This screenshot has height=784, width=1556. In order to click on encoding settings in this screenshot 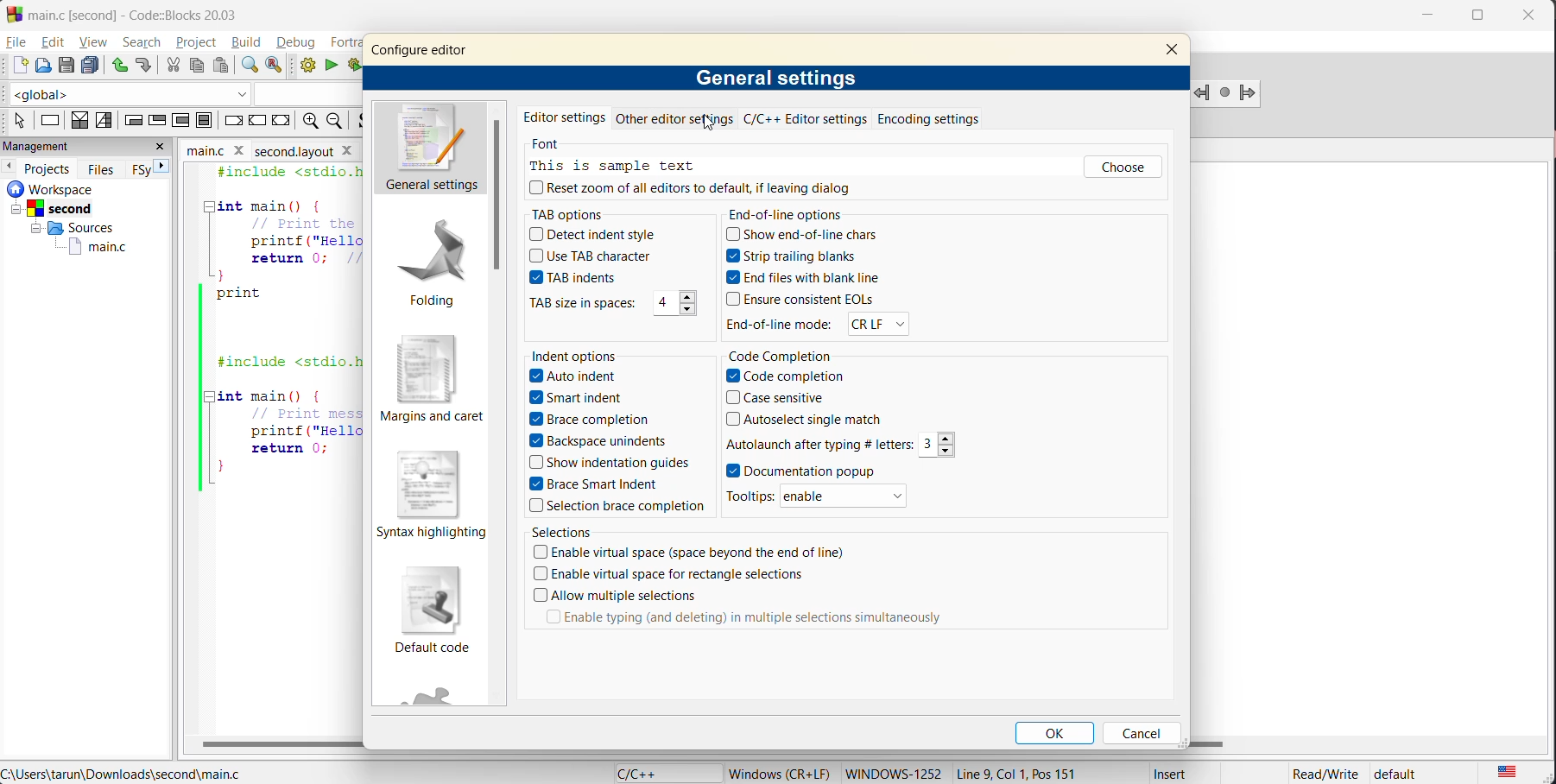, I will do `click(932, 120)`.